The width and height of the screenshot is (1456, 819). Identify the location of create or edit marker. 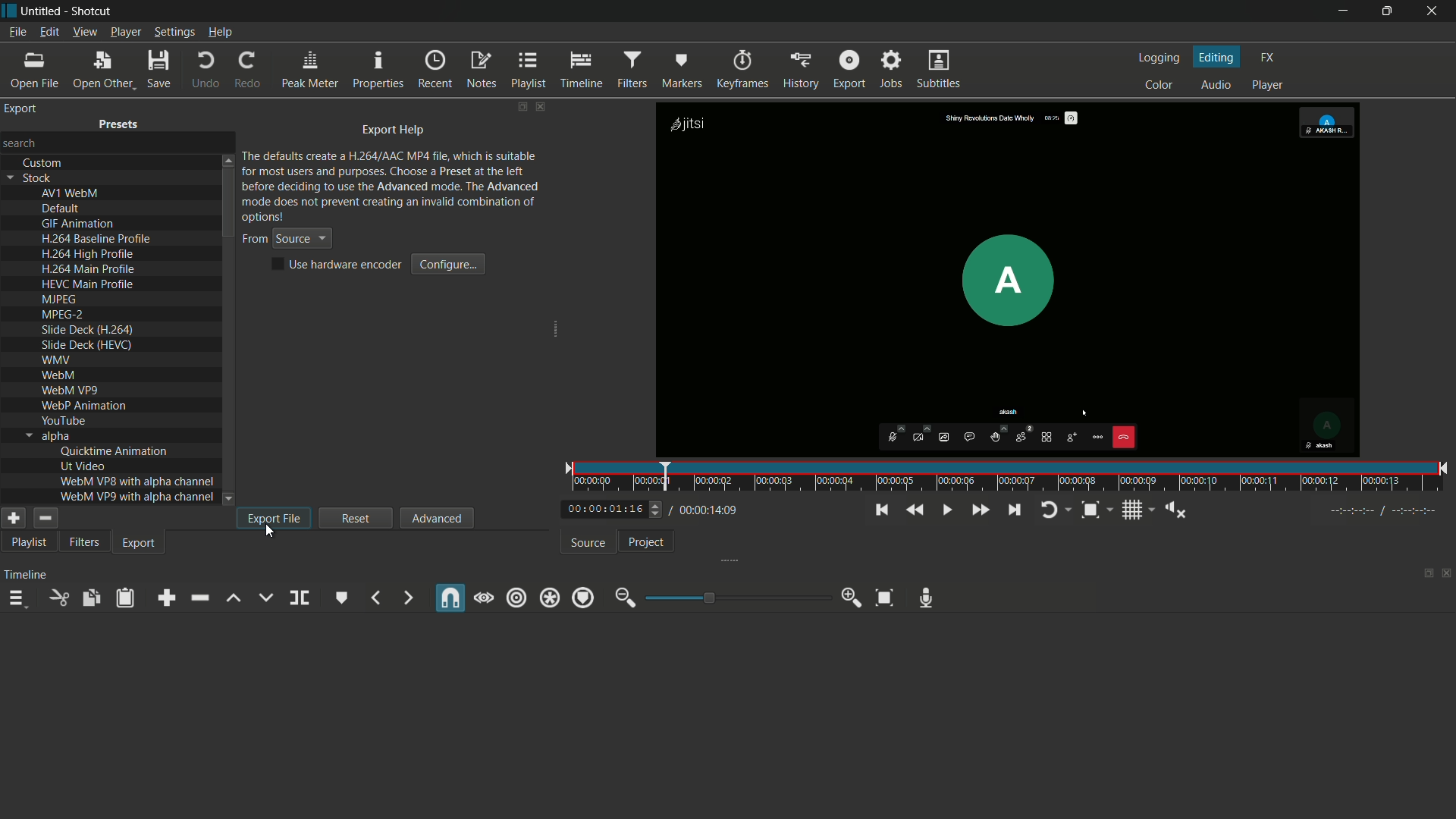
(343, 598).